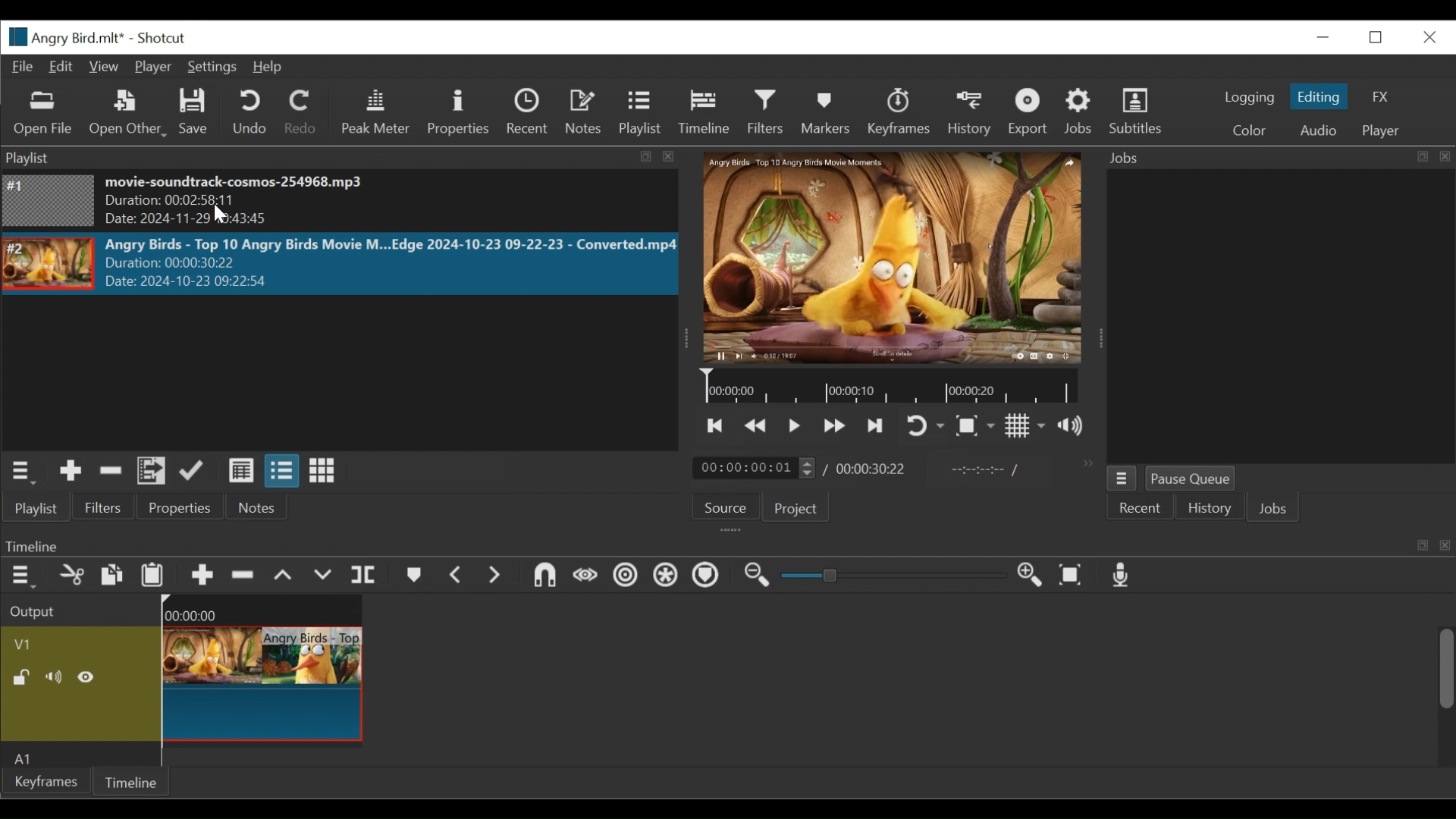  I want to click on Open Other, so click(128, 114).